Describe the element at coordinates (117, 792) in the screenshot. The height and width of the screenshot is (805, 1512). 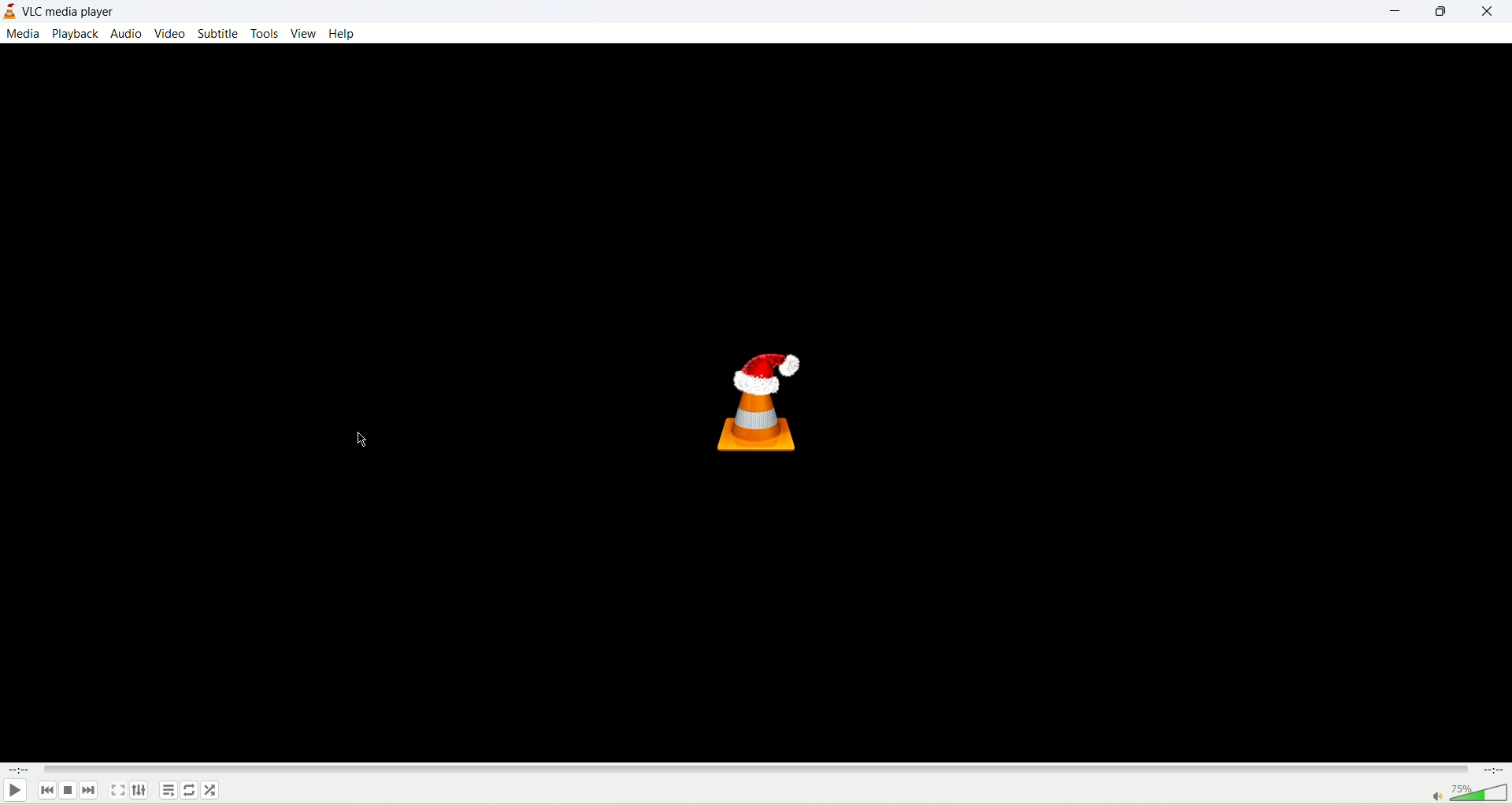
I see `fullscreen` at that location.